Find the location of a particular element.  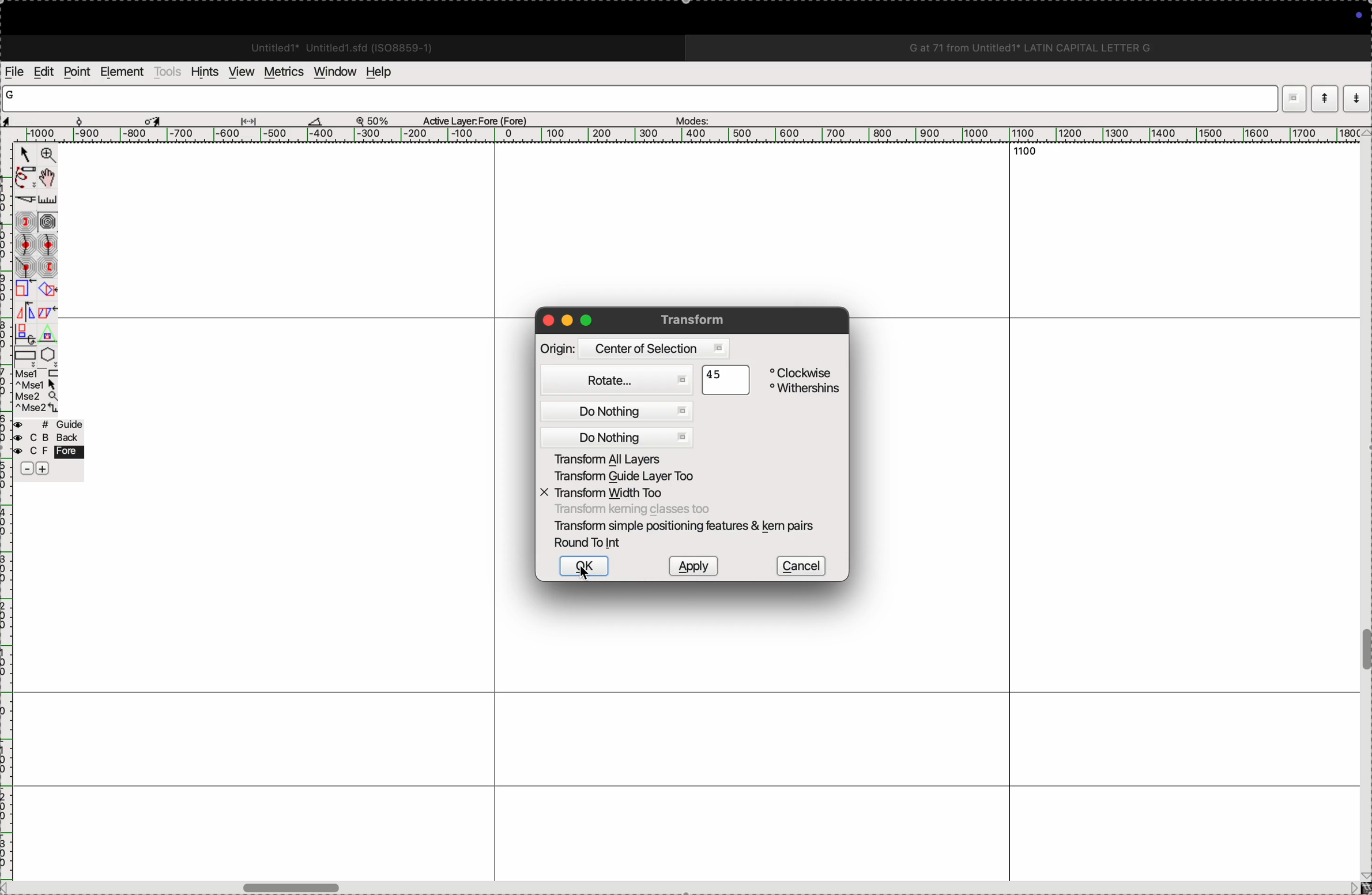

corner is located at coordinates (27, 266).